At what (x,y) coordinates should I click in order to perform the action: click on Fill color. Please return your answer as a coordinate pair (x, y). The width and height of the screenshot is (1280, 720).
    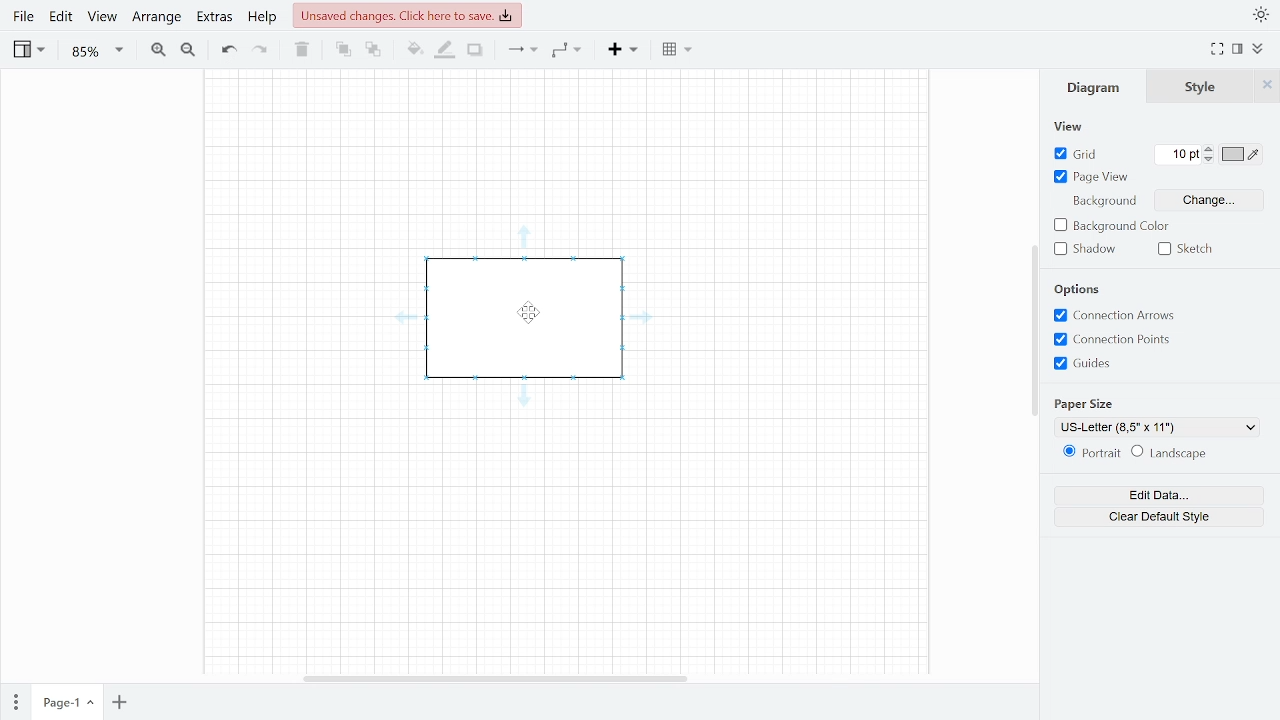
    Looking at the image, I should click on (414, 51).